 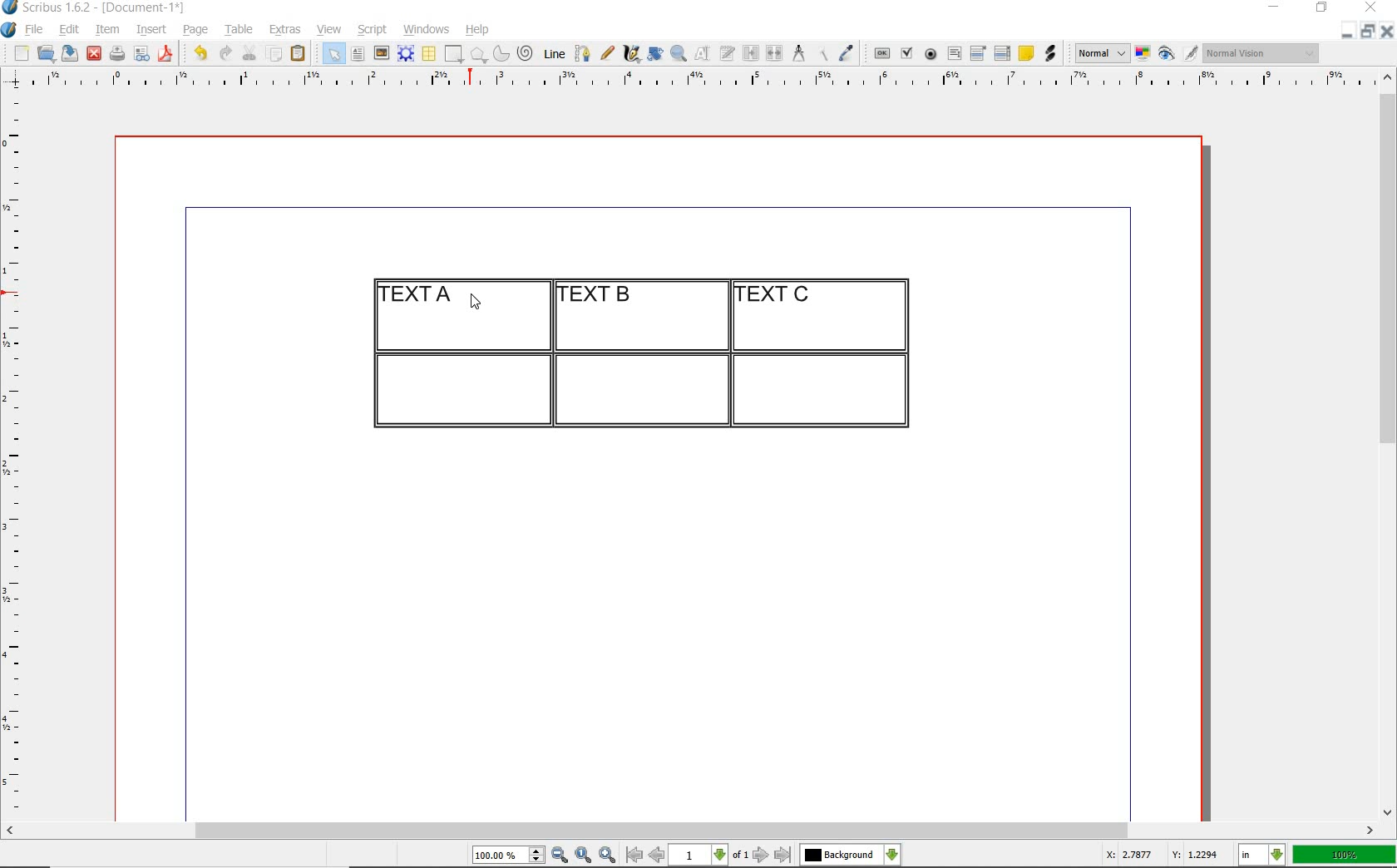 What do you see at coordinates (690, 832) in the screenshot?
I see `scrollbar` at bounding box center [690, 832].